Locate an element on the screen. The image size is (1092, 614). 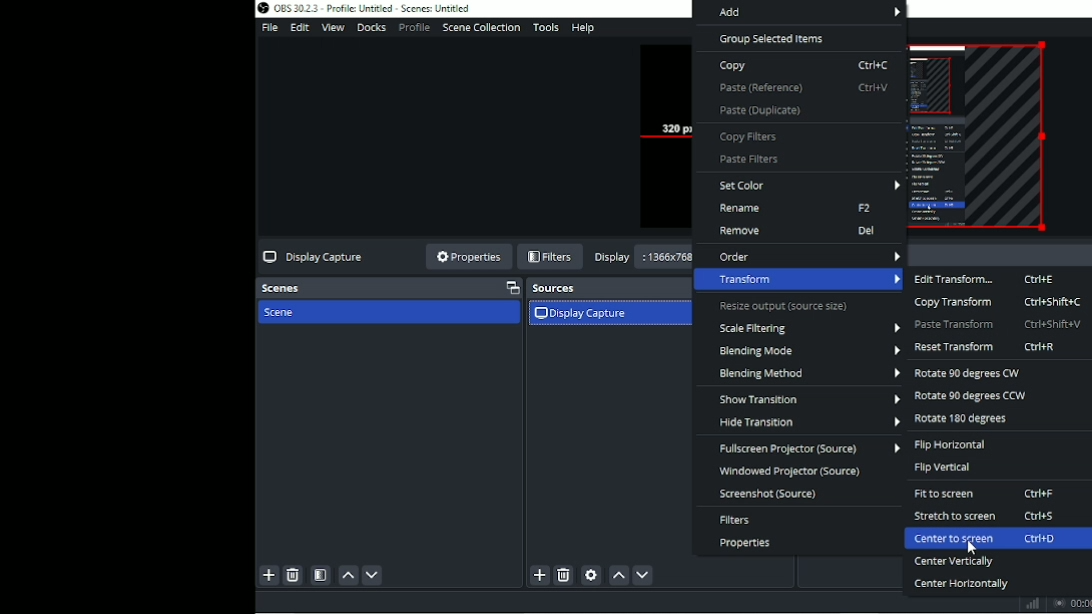
Fullscreen projector is located at coordinates (810, 448).